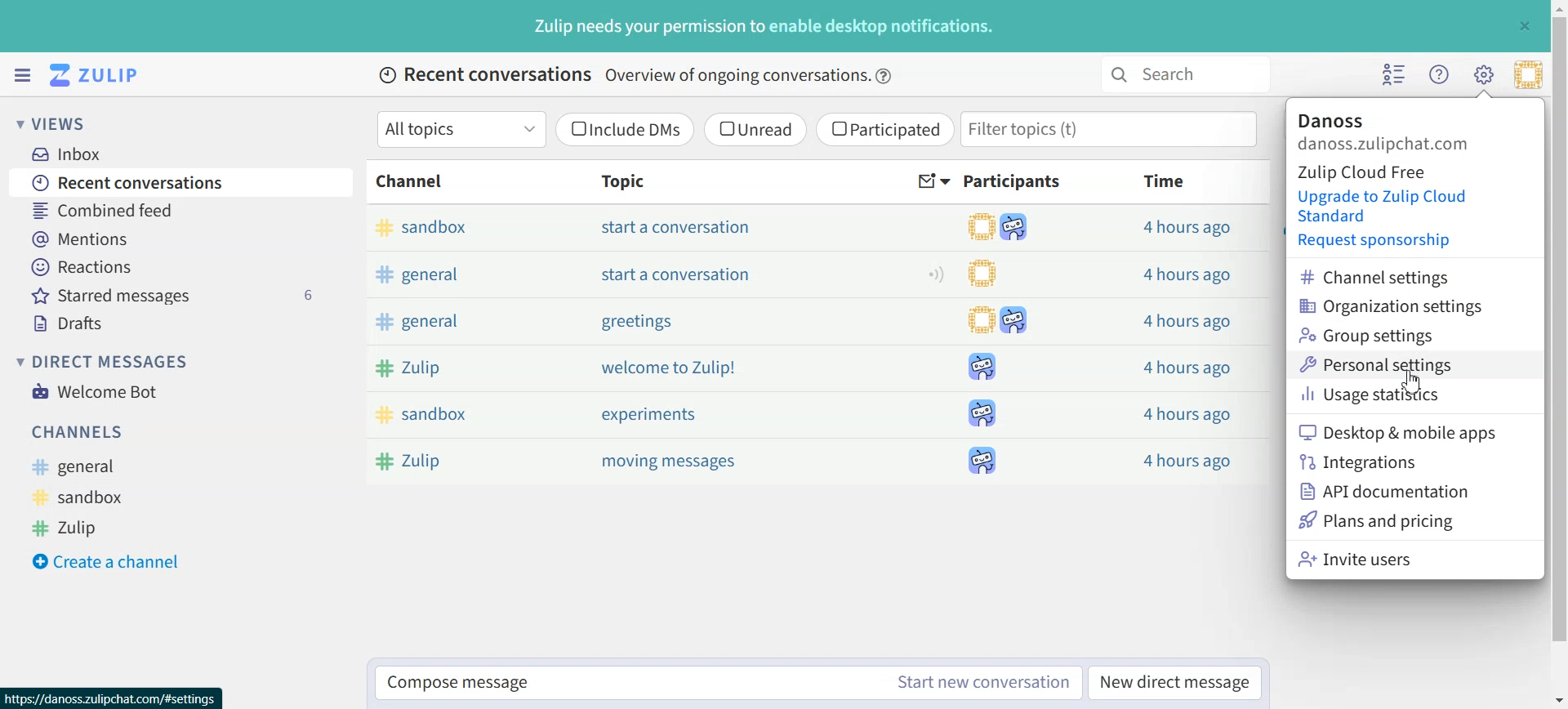  What do you see at coordinates (625, 76) in the screenshot?
I see `Text` at bounding box center [625, 76].